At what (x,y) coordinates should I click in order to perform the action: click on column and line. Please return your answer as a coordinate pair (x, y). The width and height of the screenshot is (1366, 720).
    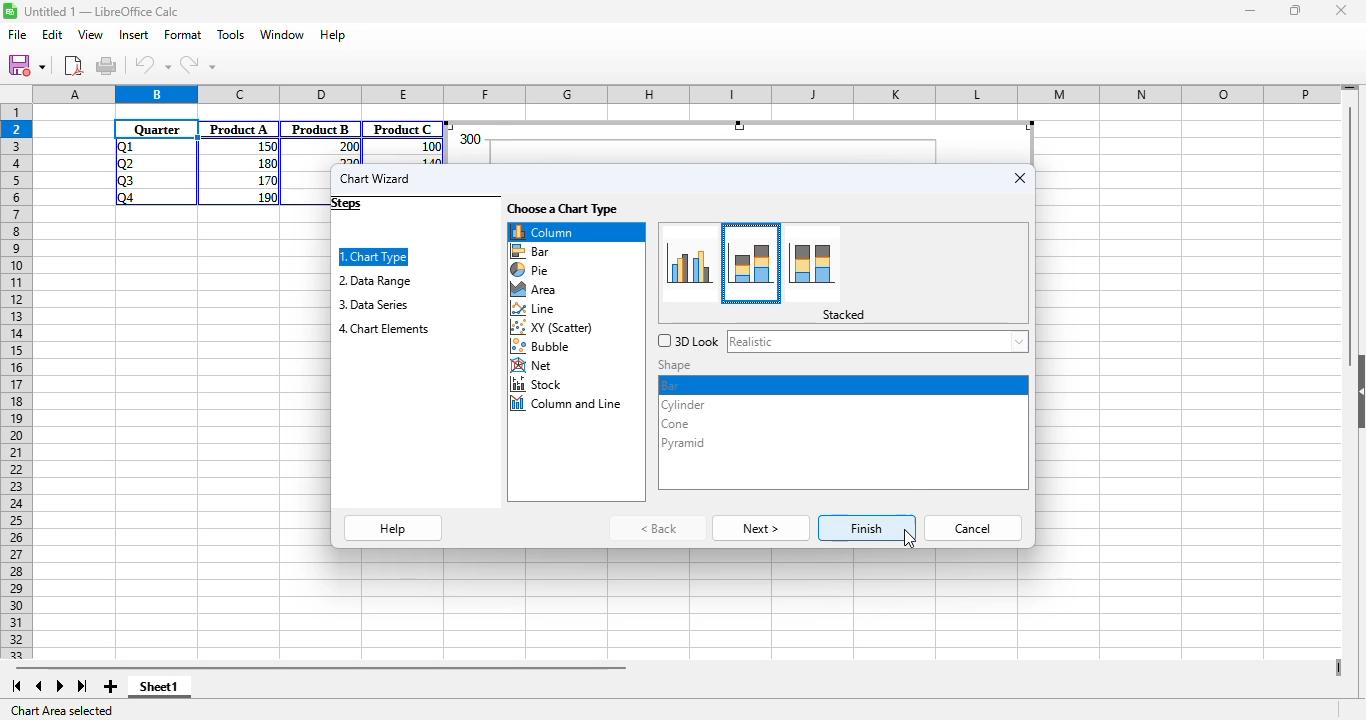
    Looking at the image, I should click on (568, 404).